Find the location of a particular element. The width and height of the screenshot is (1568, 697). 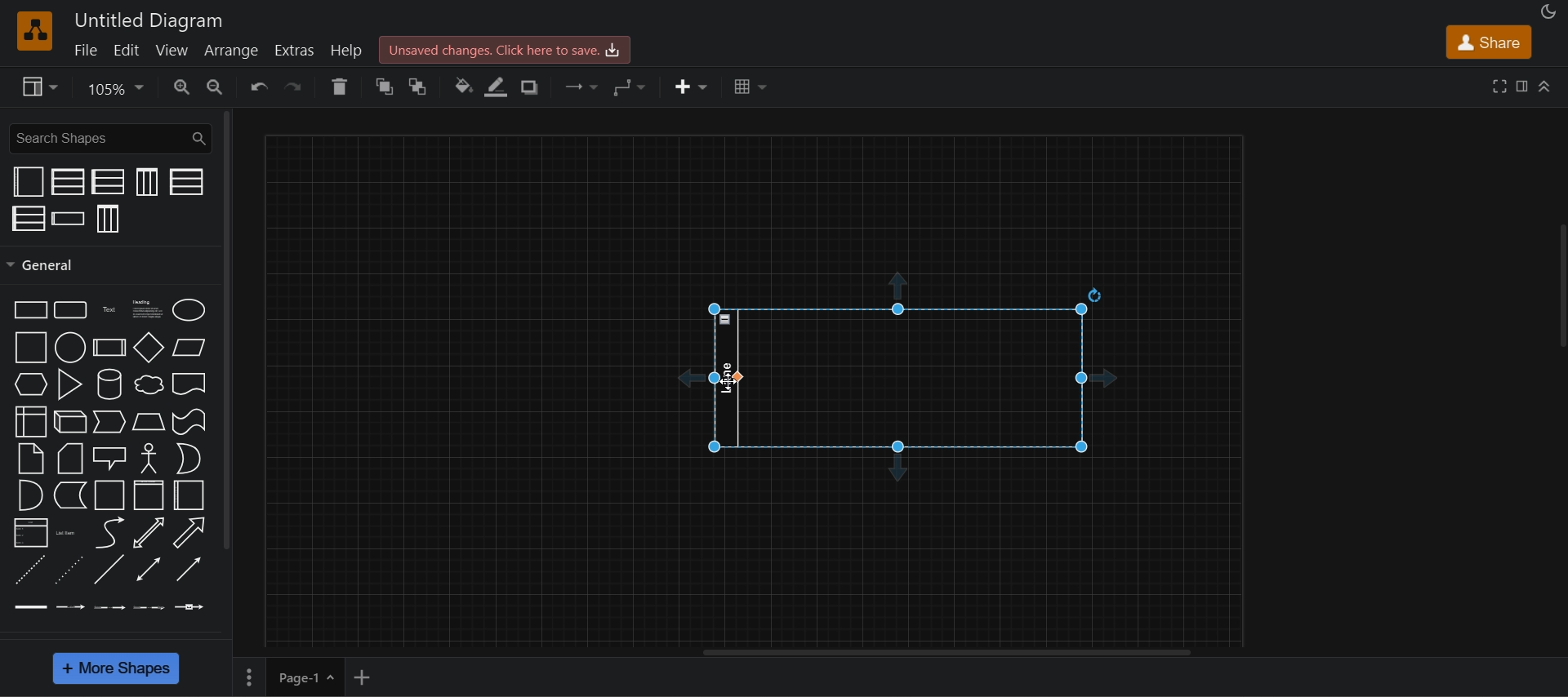

parallelogram is located at coordinates (189, 347).